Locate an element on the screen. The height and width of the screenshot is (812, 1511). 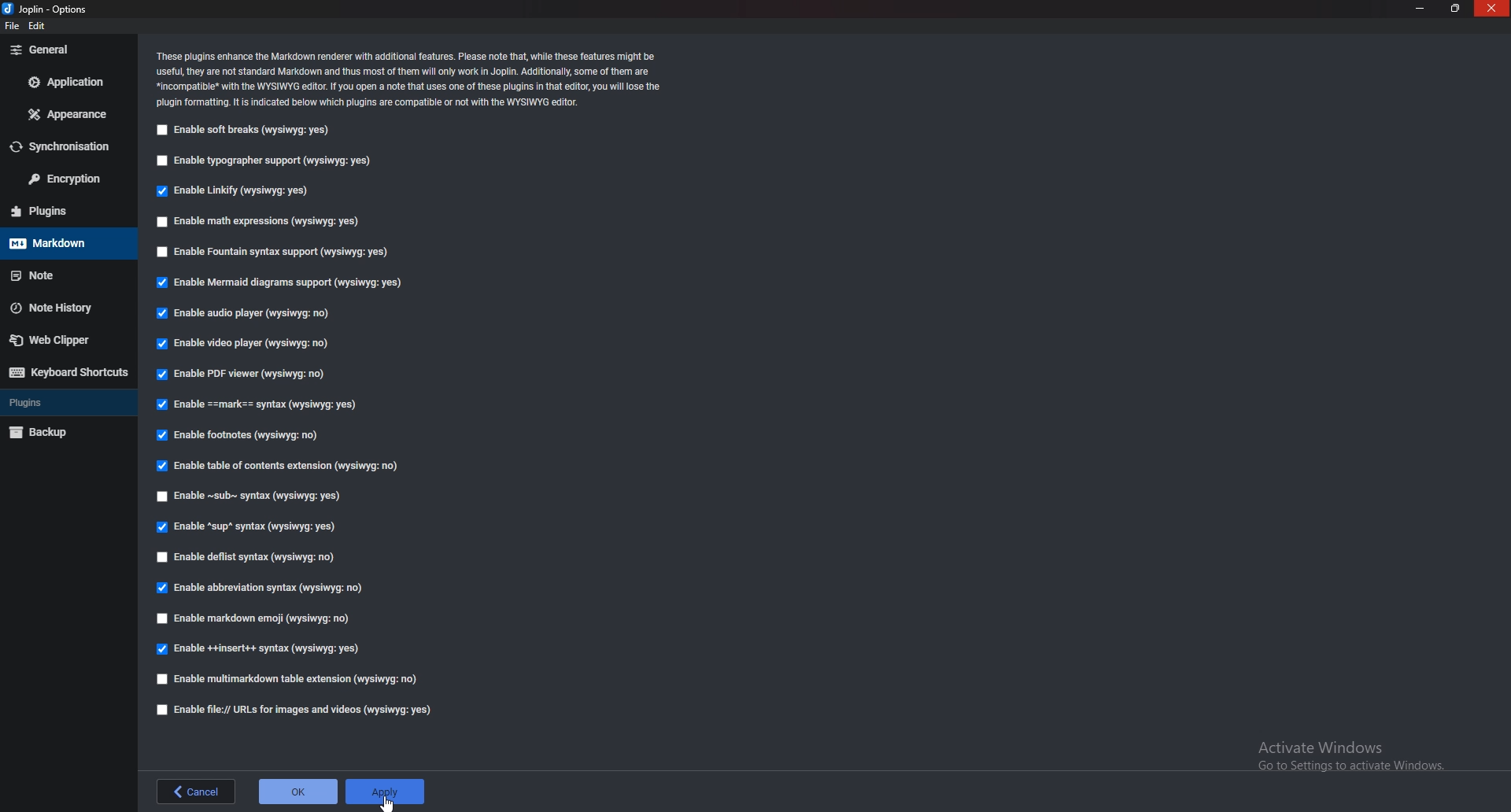
Activate windows pop up is located at coordinates (1354, 756).